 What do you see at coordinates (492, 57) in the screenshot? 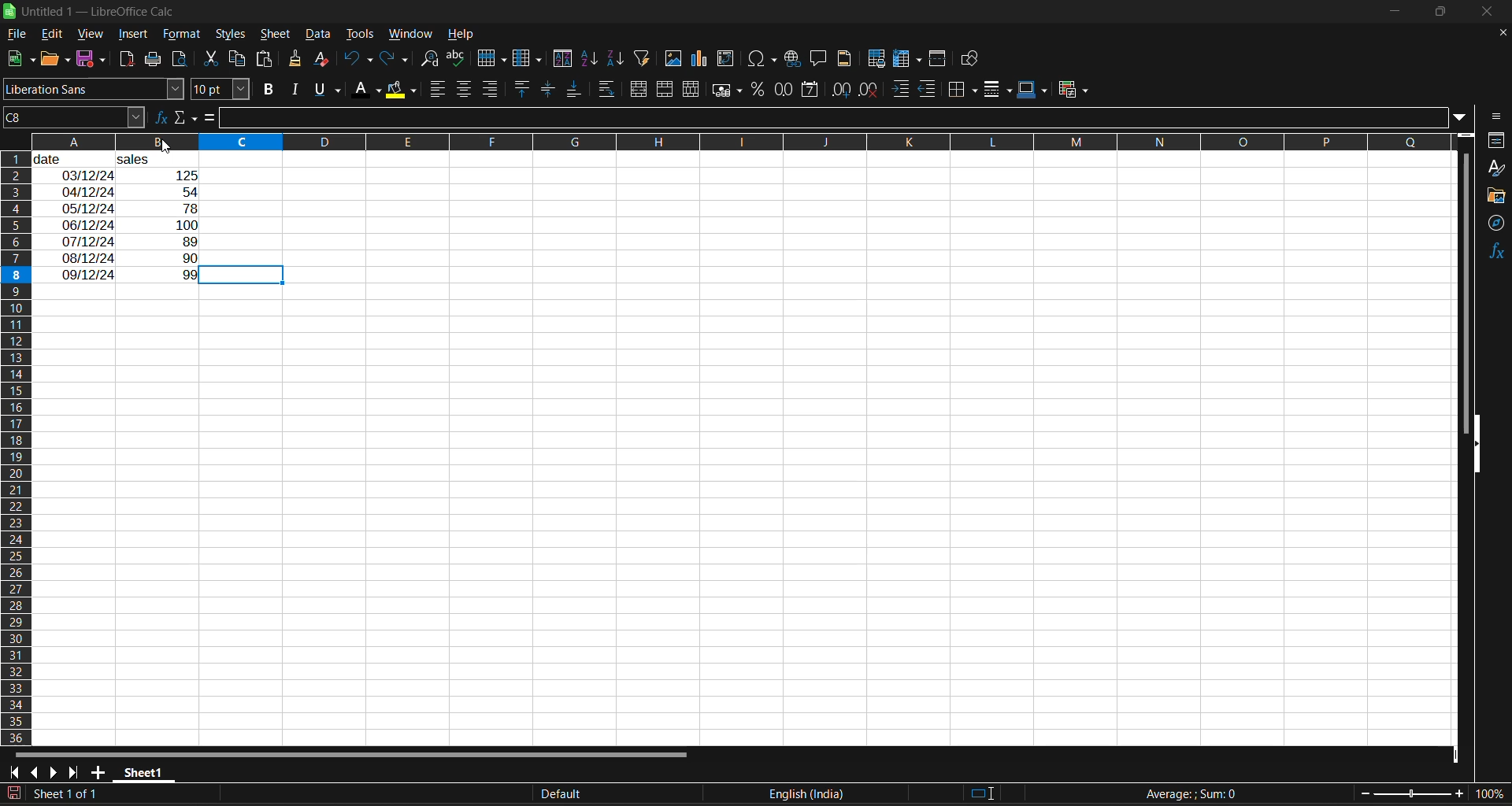
I see `row` at bounding box center [492, 57].